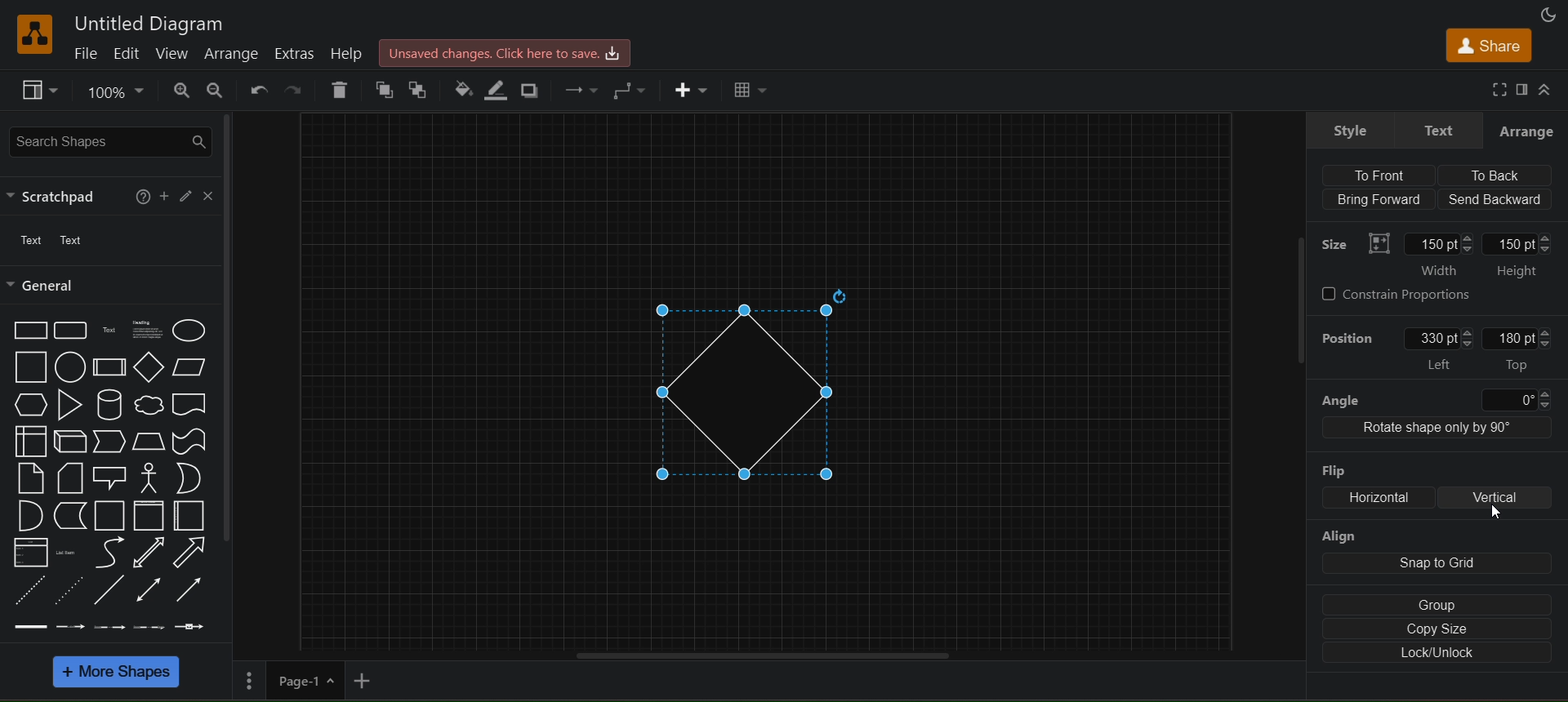 This screenshot has height=702, width=1568. Describe the element at coordinates (68, 477) in the screenshot. I see `card` at that location.